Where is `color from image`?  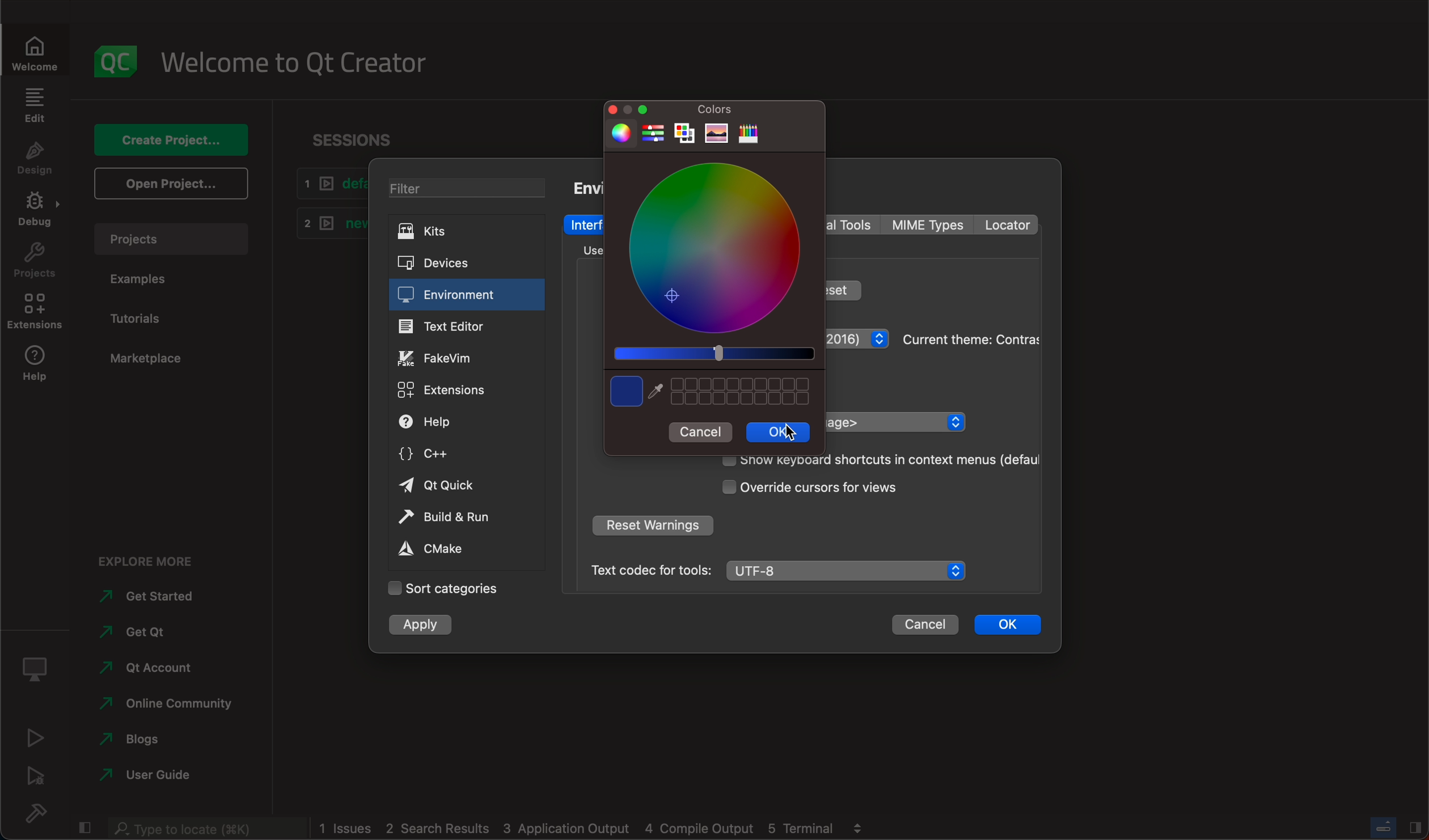 color from image is located at coordinates (717, 134).